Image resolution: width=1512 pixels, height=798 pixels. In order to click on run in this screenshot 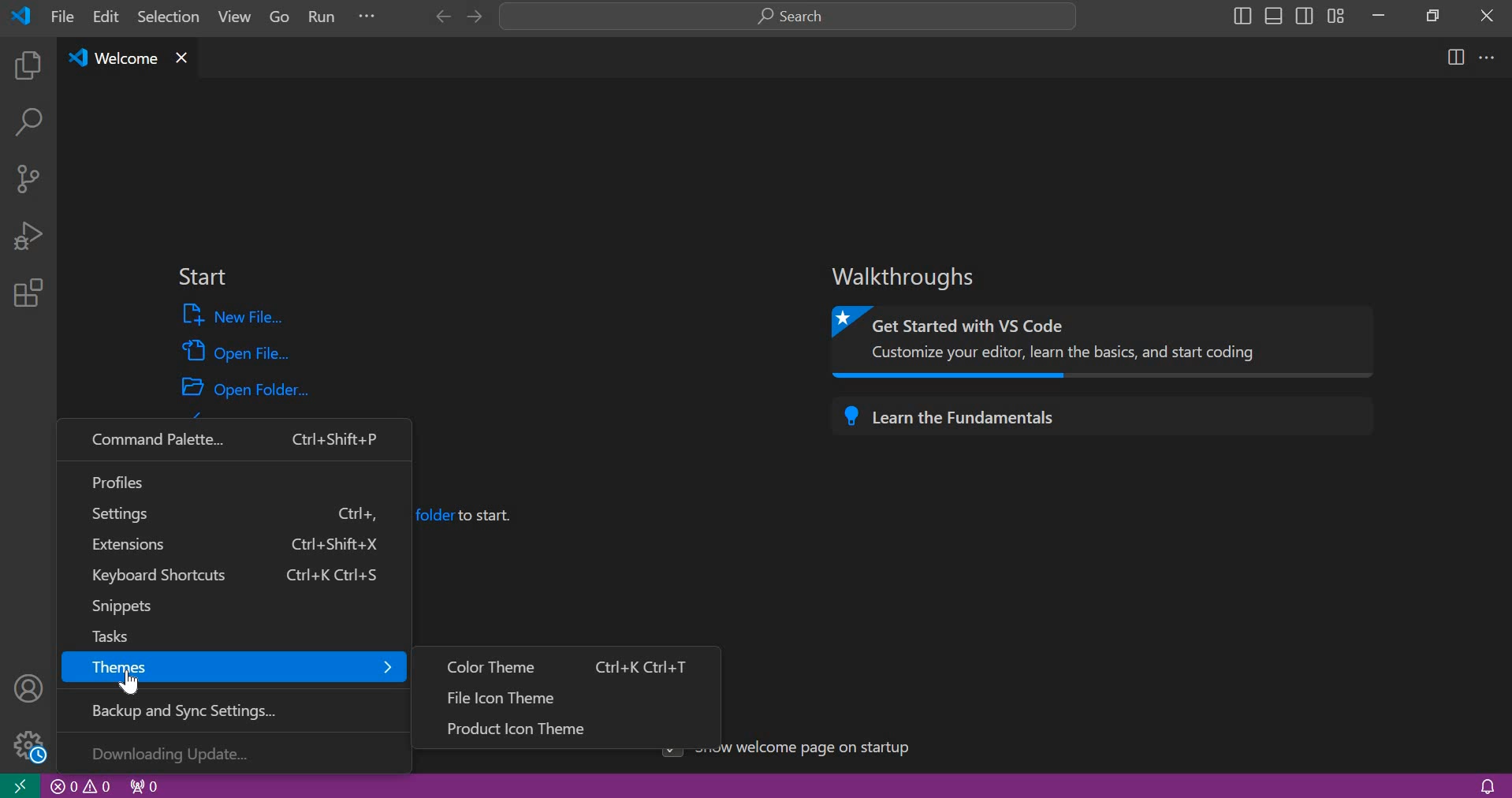, I will do `click(324, 19)`.